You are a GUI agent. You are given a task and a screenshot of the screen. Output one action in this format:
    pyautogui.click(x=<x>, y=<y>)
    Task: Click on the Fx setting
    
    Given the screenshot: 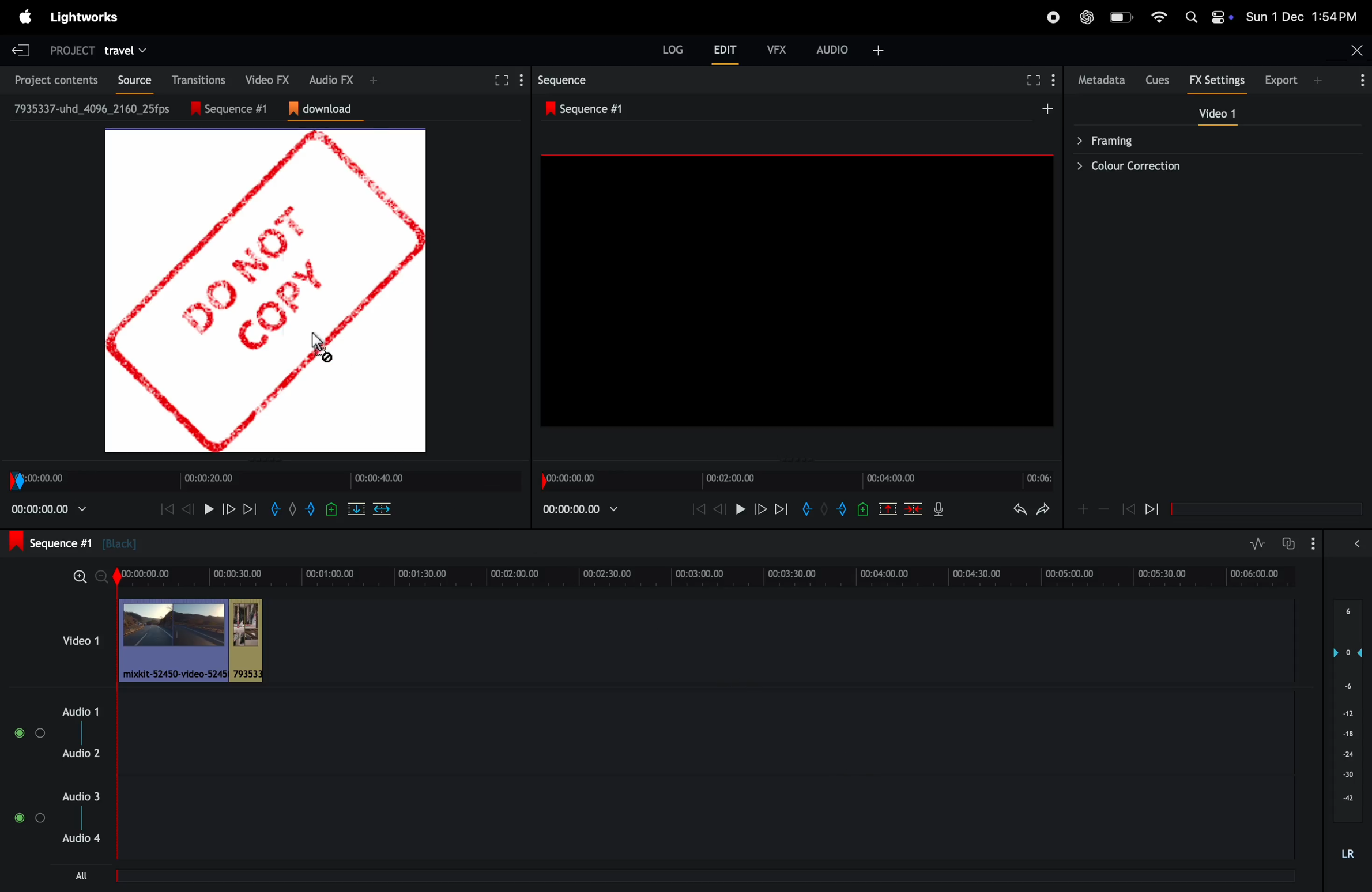 What is the action you would take?
    pyautogui.click(x=1218, y=80)
    